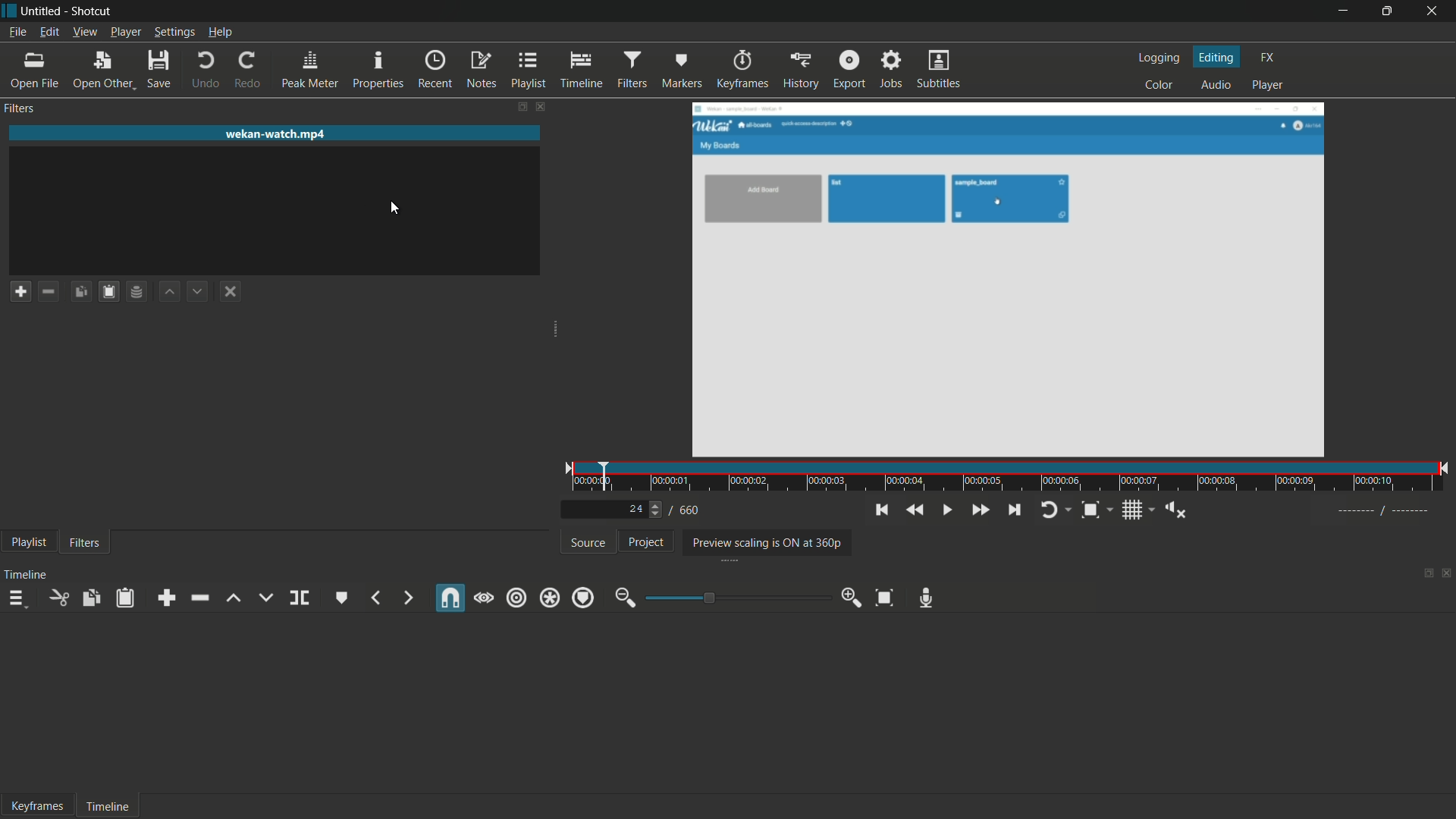  What do you see at coordinates (375, 598) in the screenshot?
I see `previous marker` at bounding box center [375, 598].